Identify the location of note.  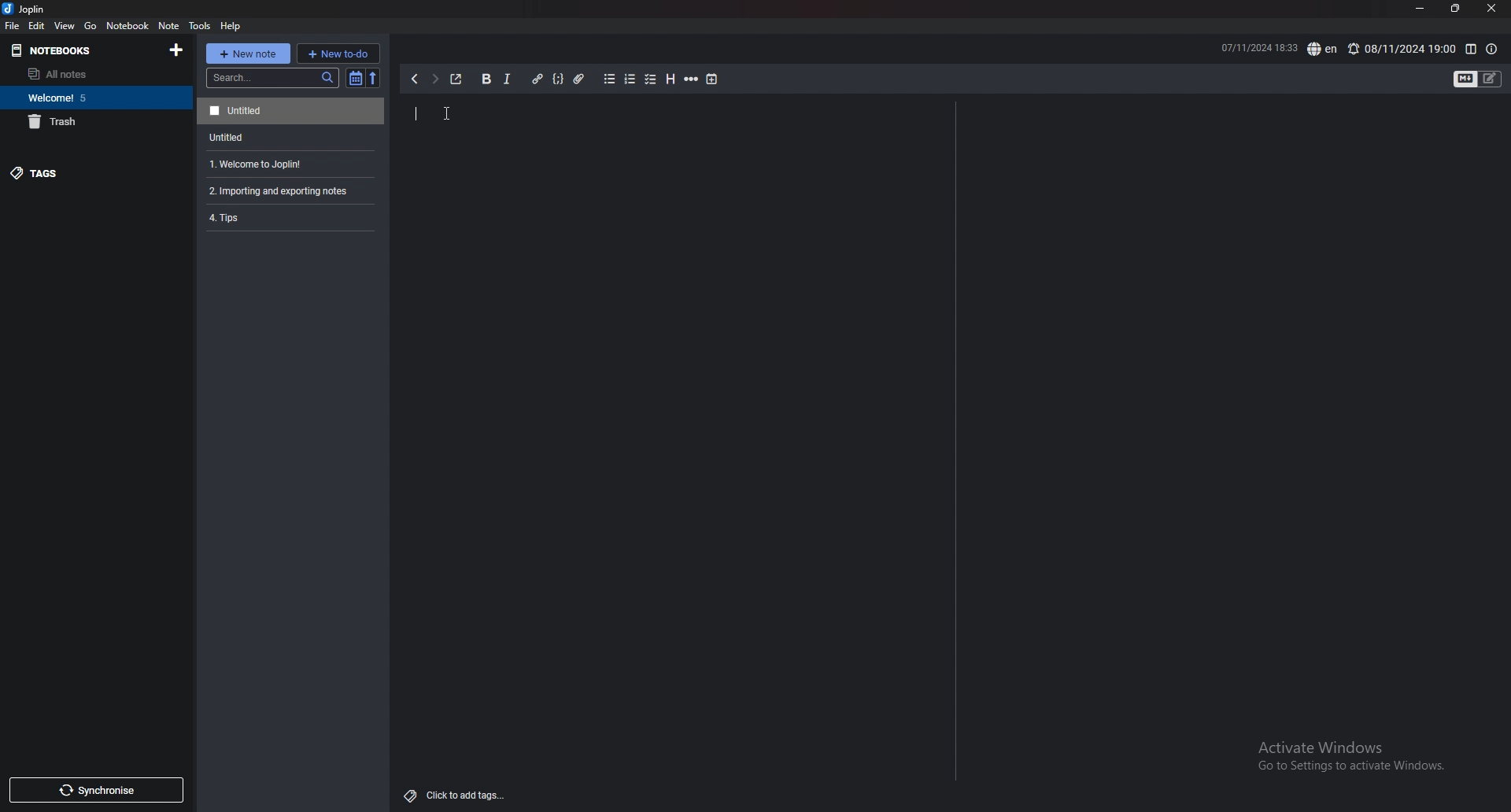
(170, 26).